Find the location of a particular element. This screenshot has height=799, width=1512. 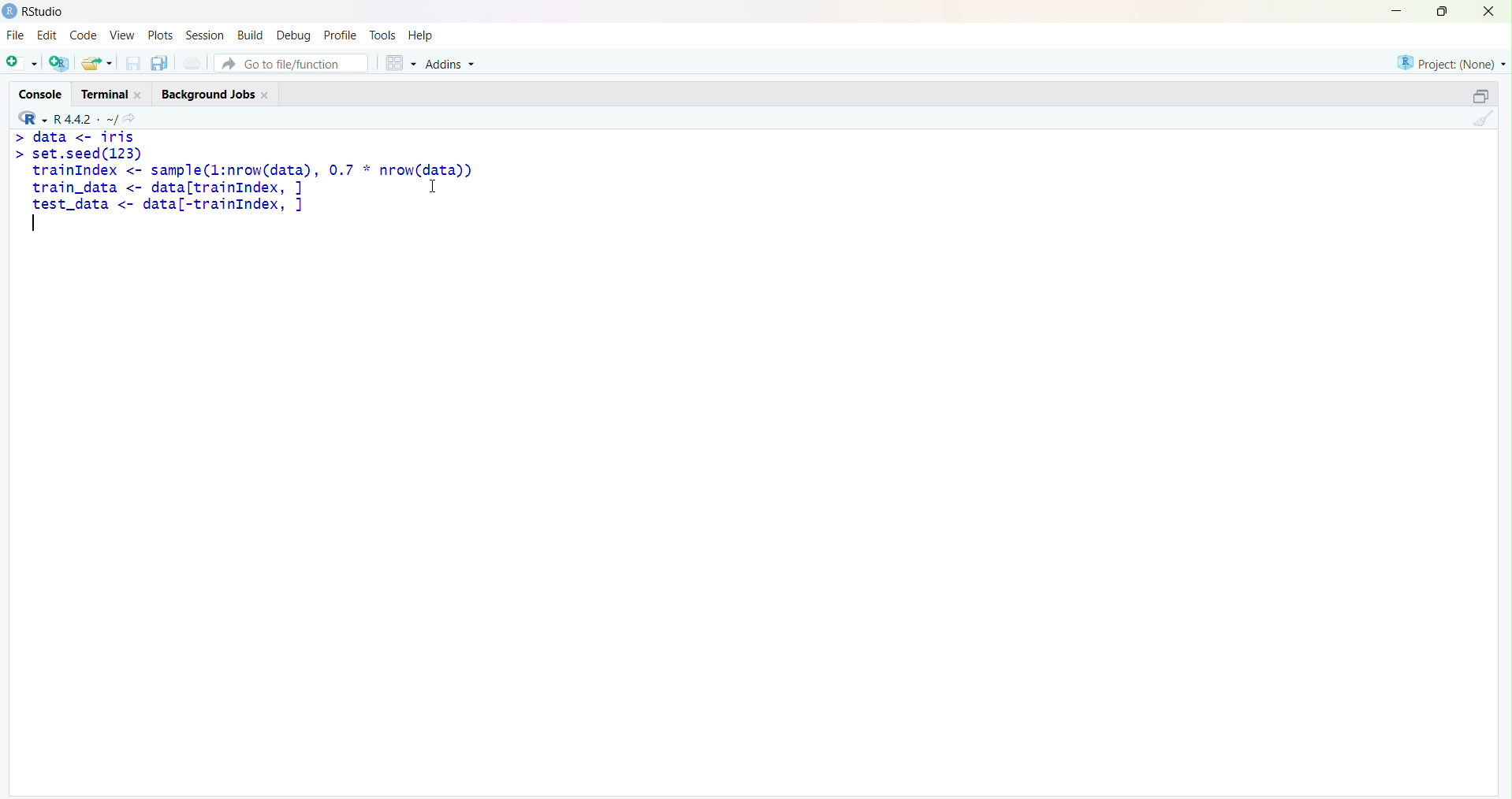

set.seed(ls3)
trainIndex <- sample(l:nrow(data), 0.7 * nrow(data))
train_data <- data[trainIndex, ] I
test_data <- data[-trainIndex, ]

| is located at coordinates (266, 191).